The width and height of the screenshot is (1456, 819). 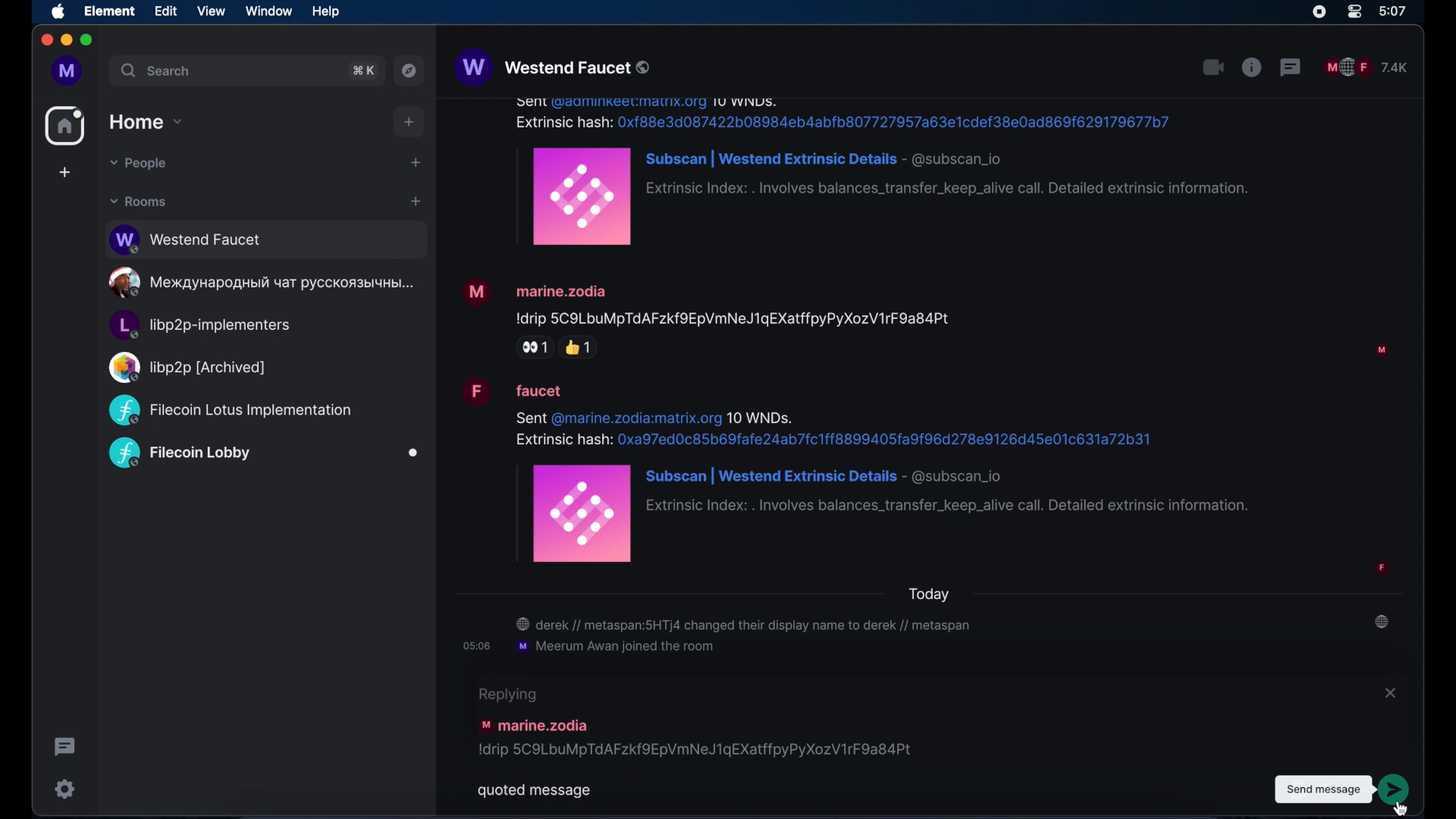 I want to click on element, so click(x=111, y=11).